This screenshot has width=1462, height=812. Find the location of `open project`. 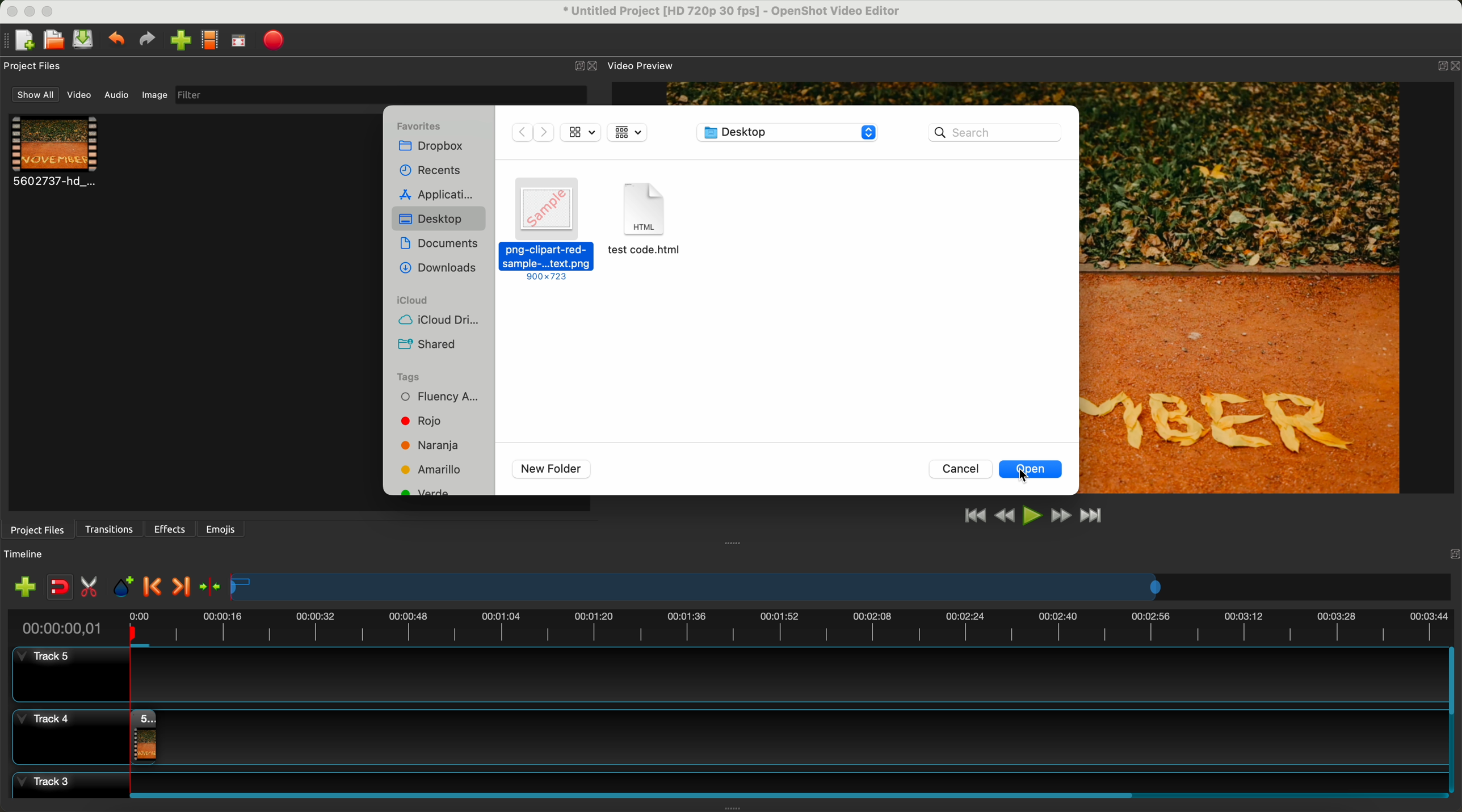

open project is located at coordinates (53, 41).